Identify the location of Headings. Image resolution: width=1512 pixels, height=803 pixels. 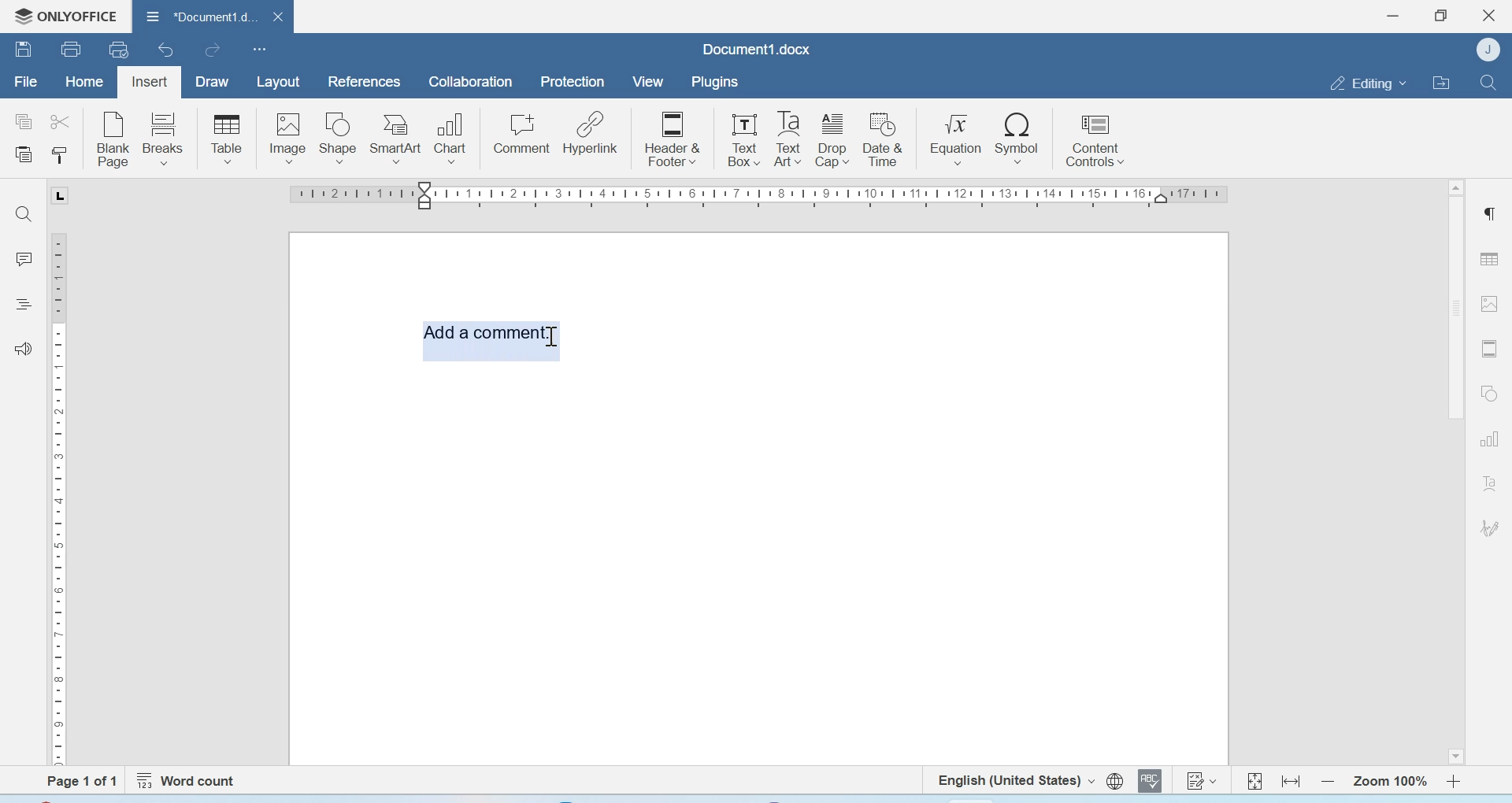
(23, 306).